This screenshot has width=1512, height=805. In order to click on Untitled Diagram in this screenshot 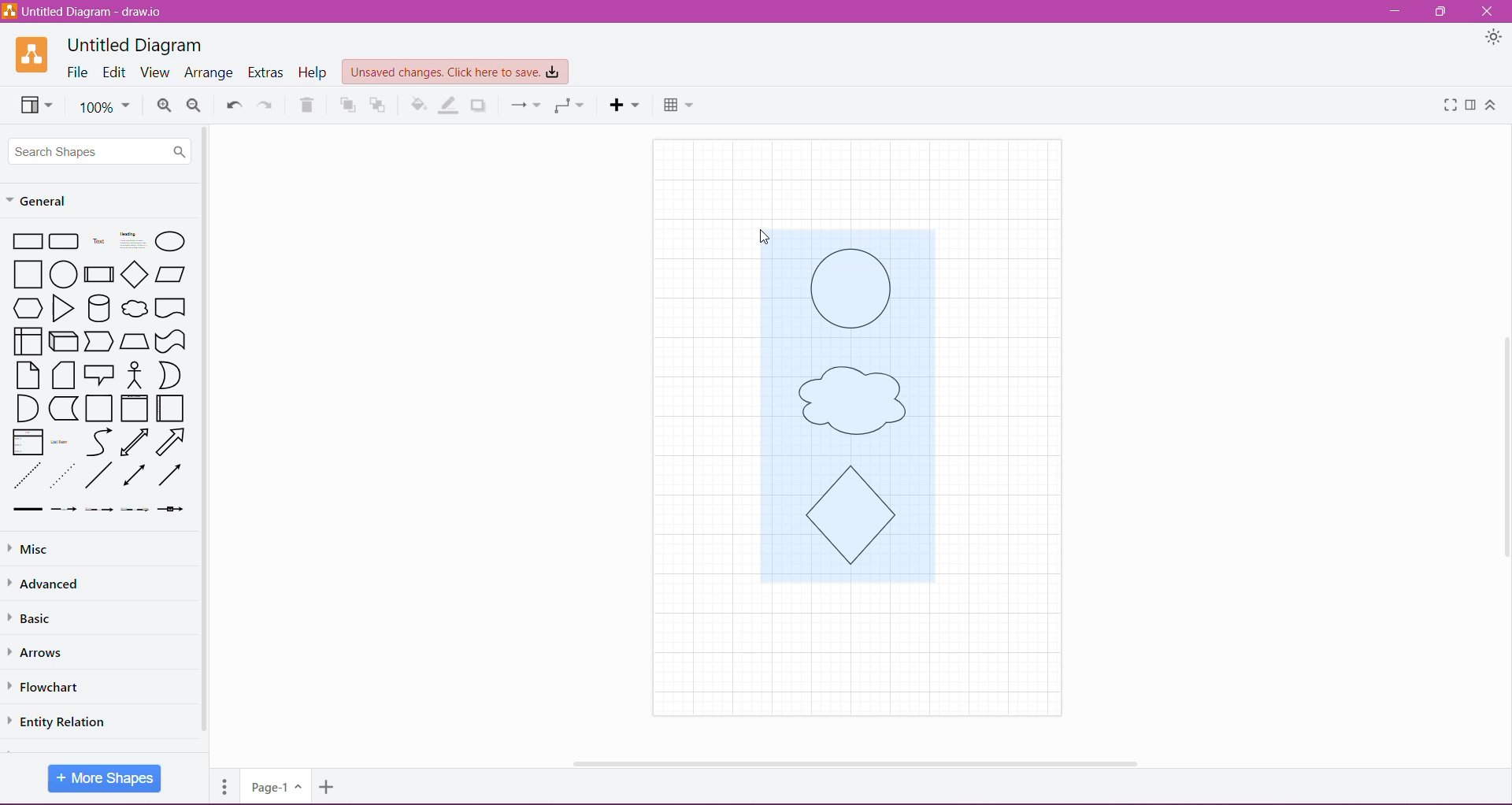, I will do `click(135, 45)`.